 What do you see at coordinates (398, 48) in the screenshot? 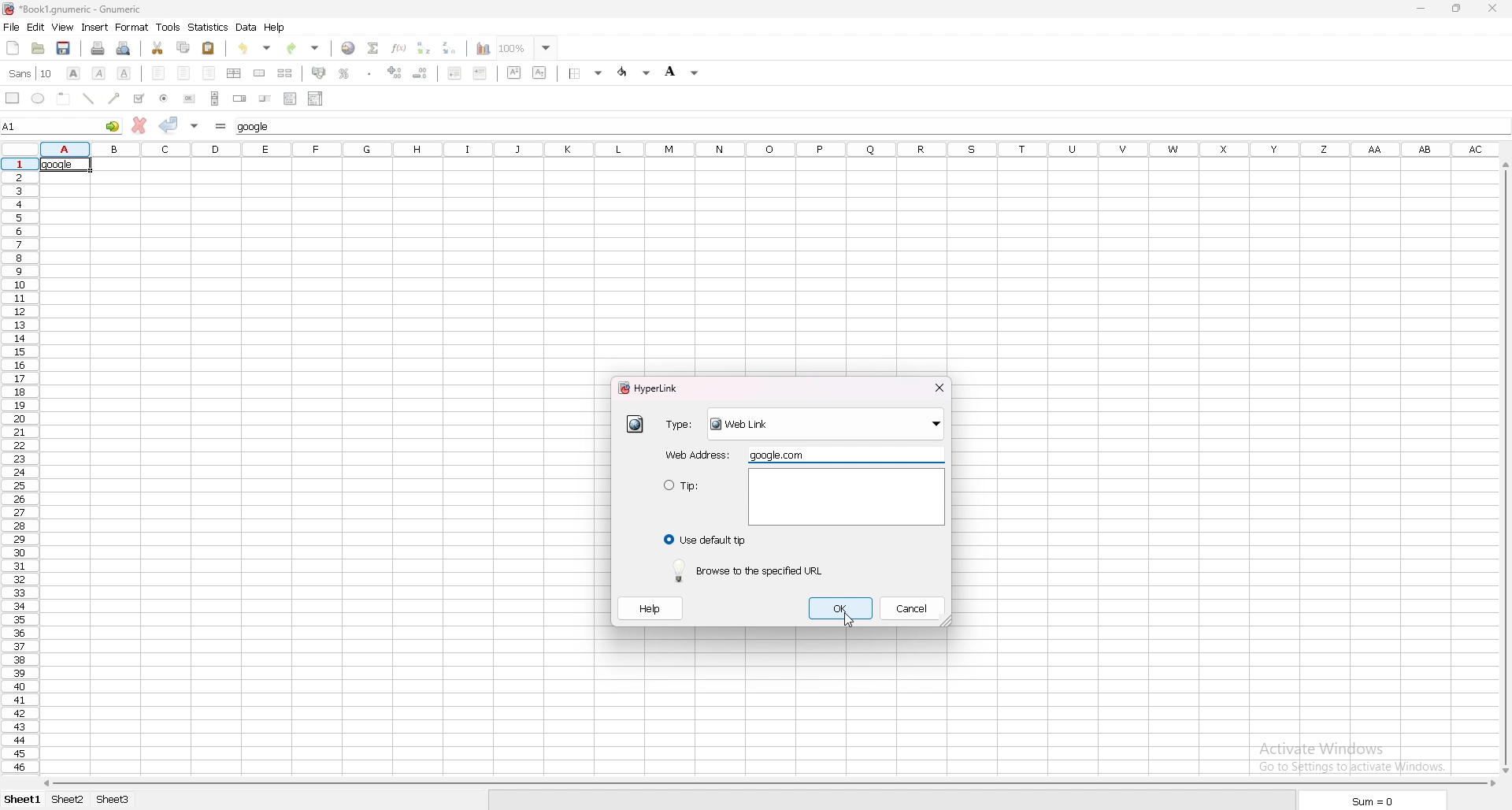
I see `function` at bounding box center [398, 48].